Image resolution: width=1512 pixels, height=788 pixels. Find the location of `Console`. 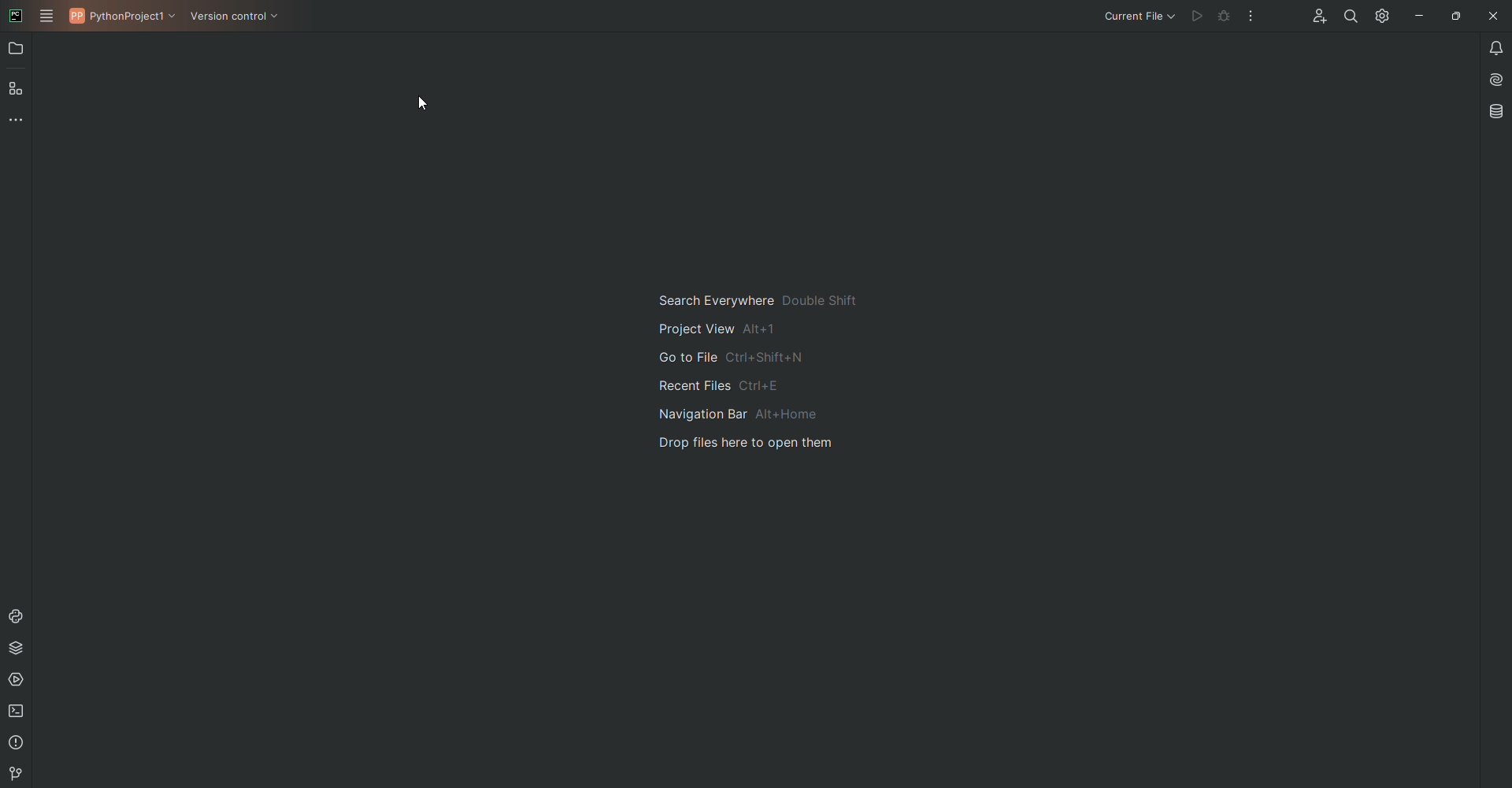

Console is located at coordinates (19, 615).